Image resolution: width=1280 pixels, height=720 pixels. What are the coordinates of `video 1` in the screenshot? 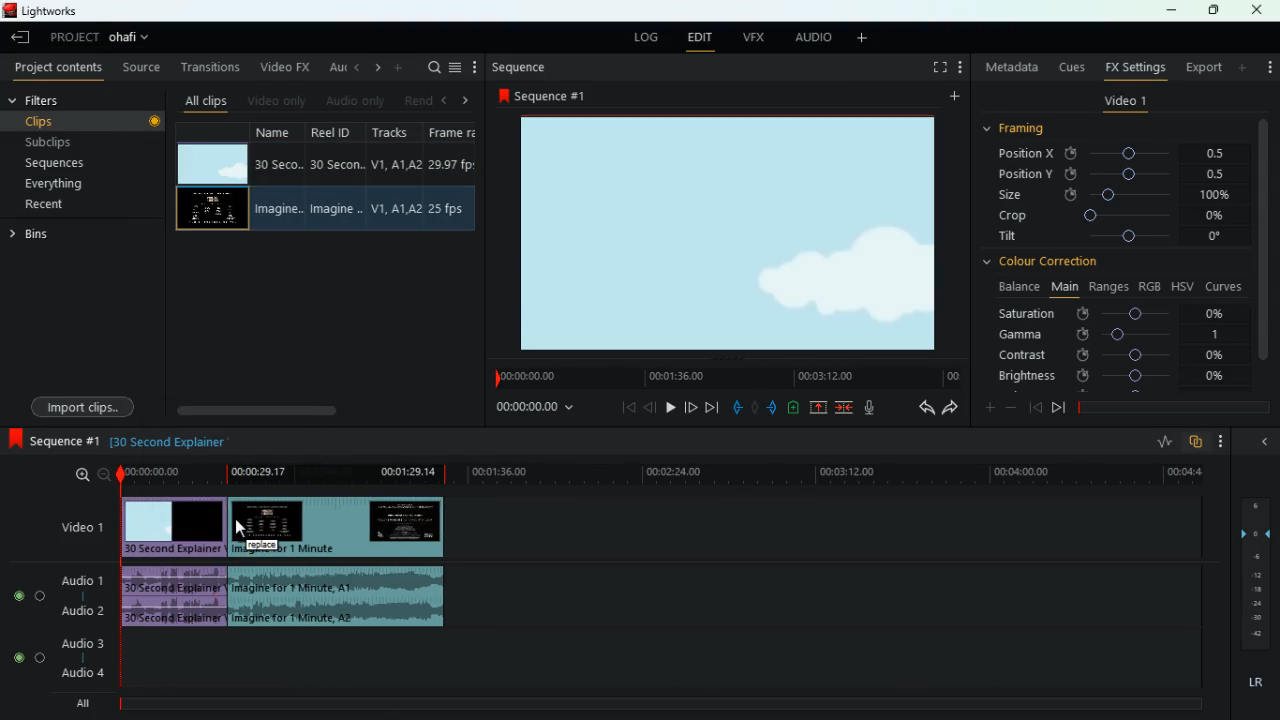 It's located at (1125, 104).